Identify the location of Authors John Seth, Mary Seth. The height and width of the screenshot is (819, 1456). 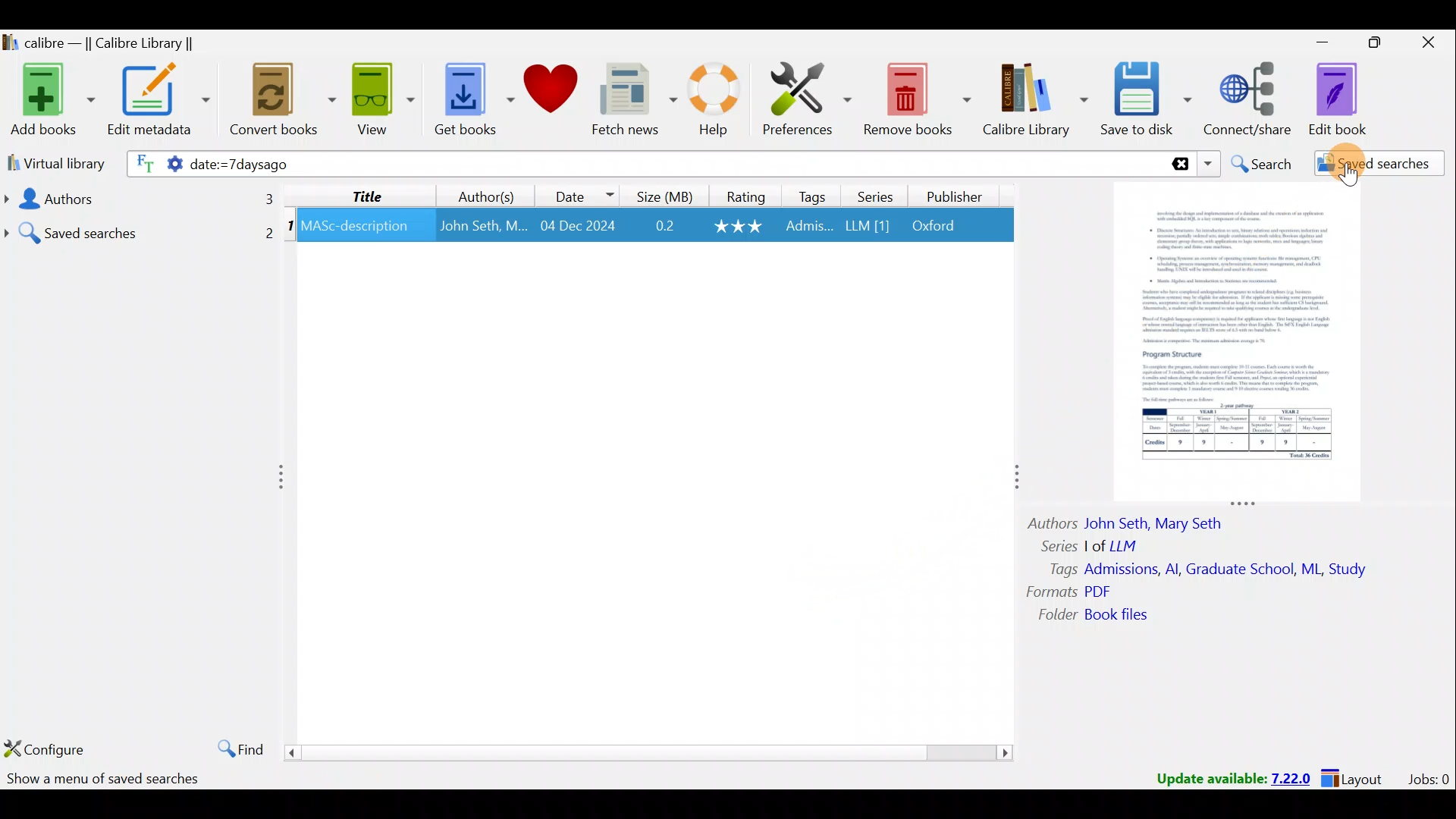
(1137, 521).